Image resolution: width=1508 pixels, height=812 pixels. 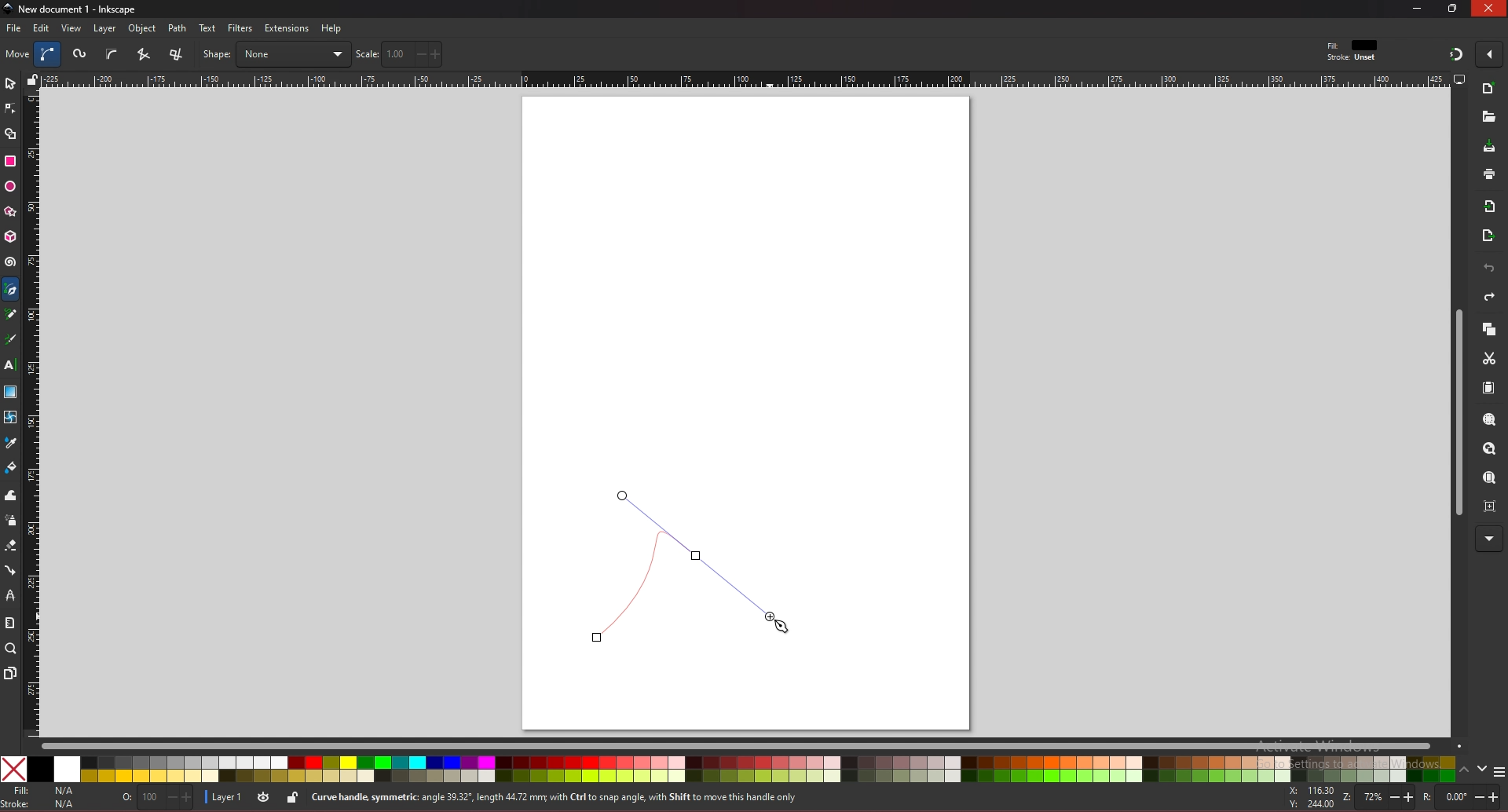 I want to click on spray, so click(x=10, y=521).